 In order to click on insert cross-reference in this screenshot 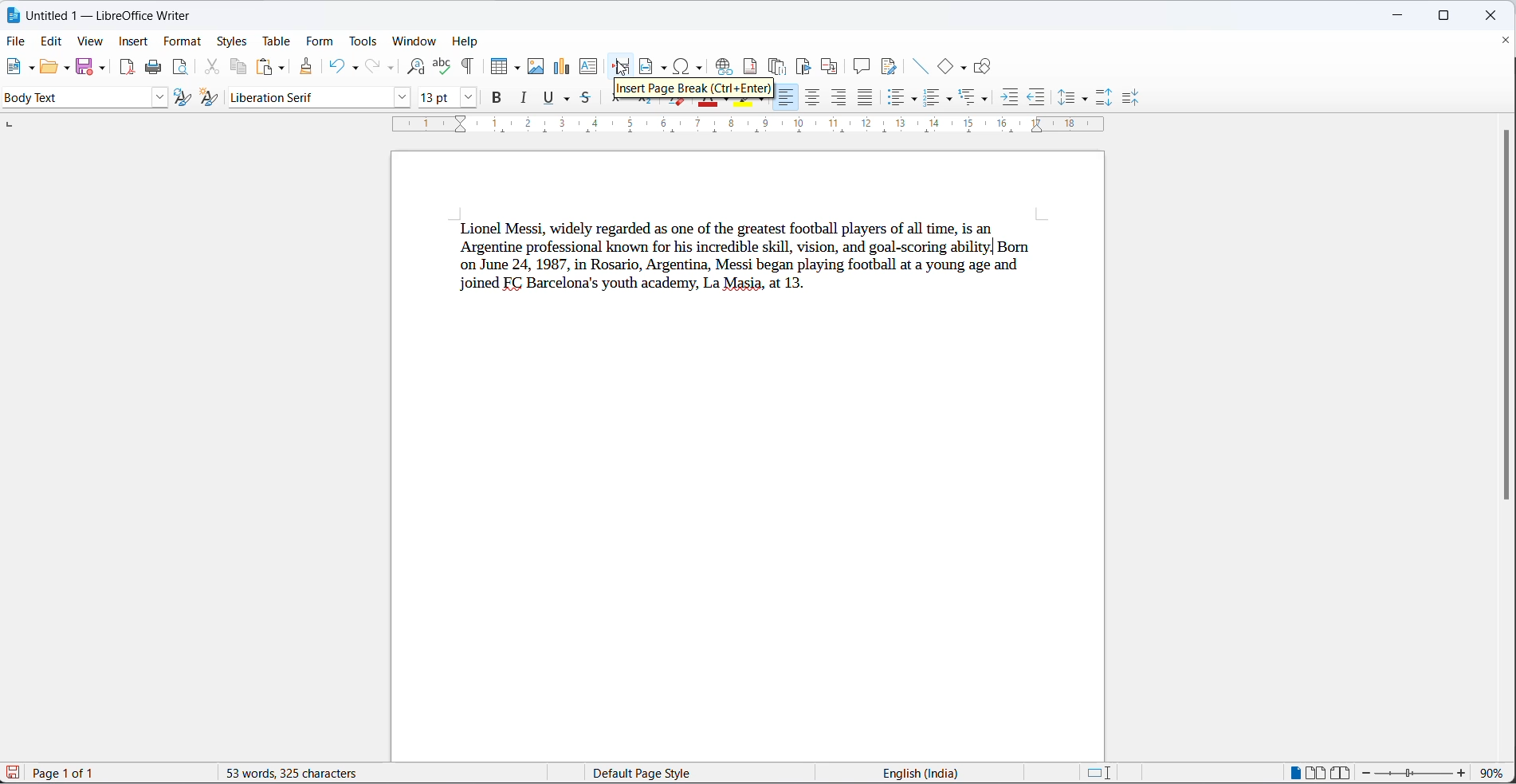, I will do `click(831, 69)`.